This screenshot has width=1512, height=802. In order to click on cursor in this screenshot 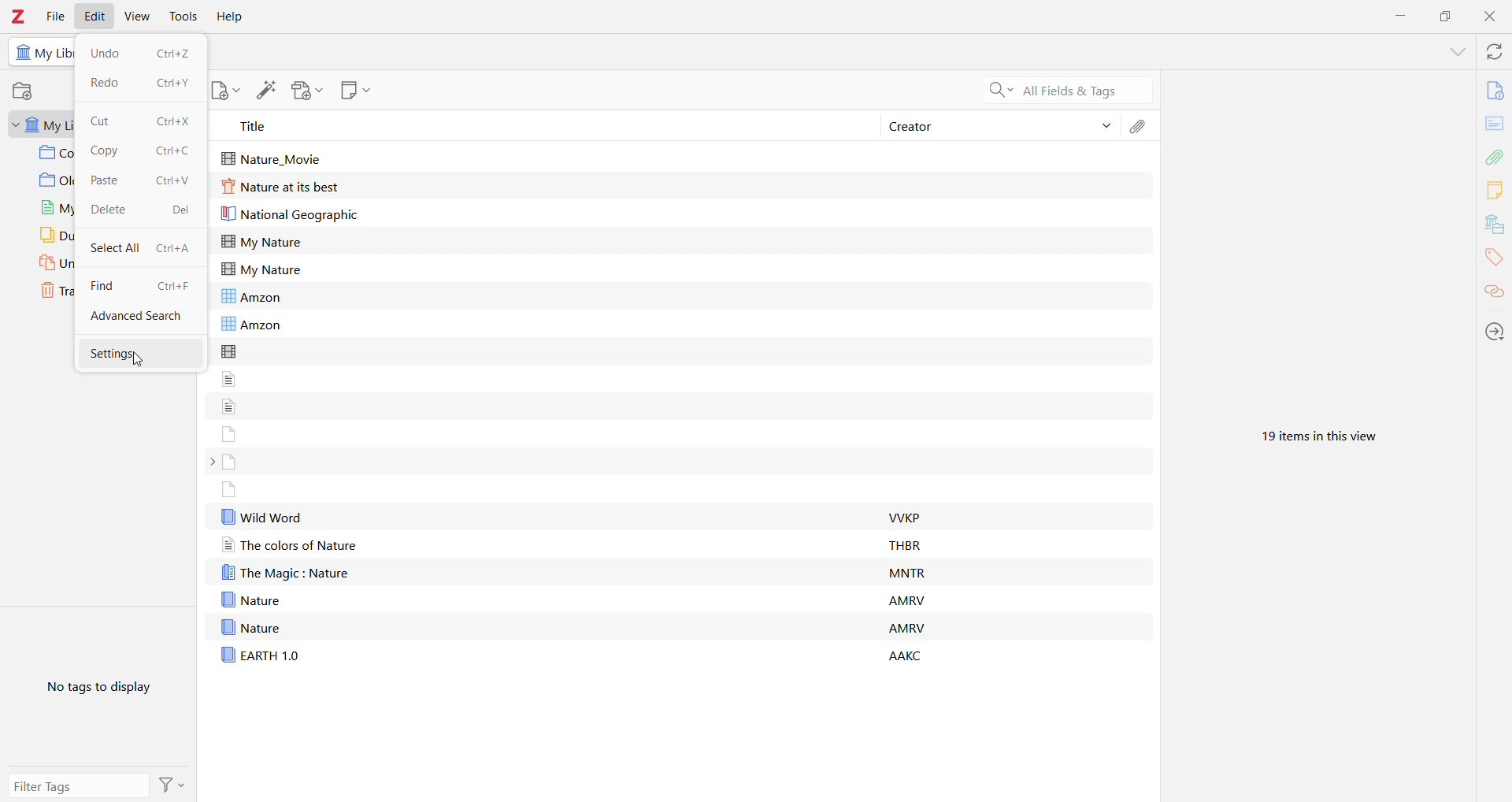, I will do `click(140, 361)`.